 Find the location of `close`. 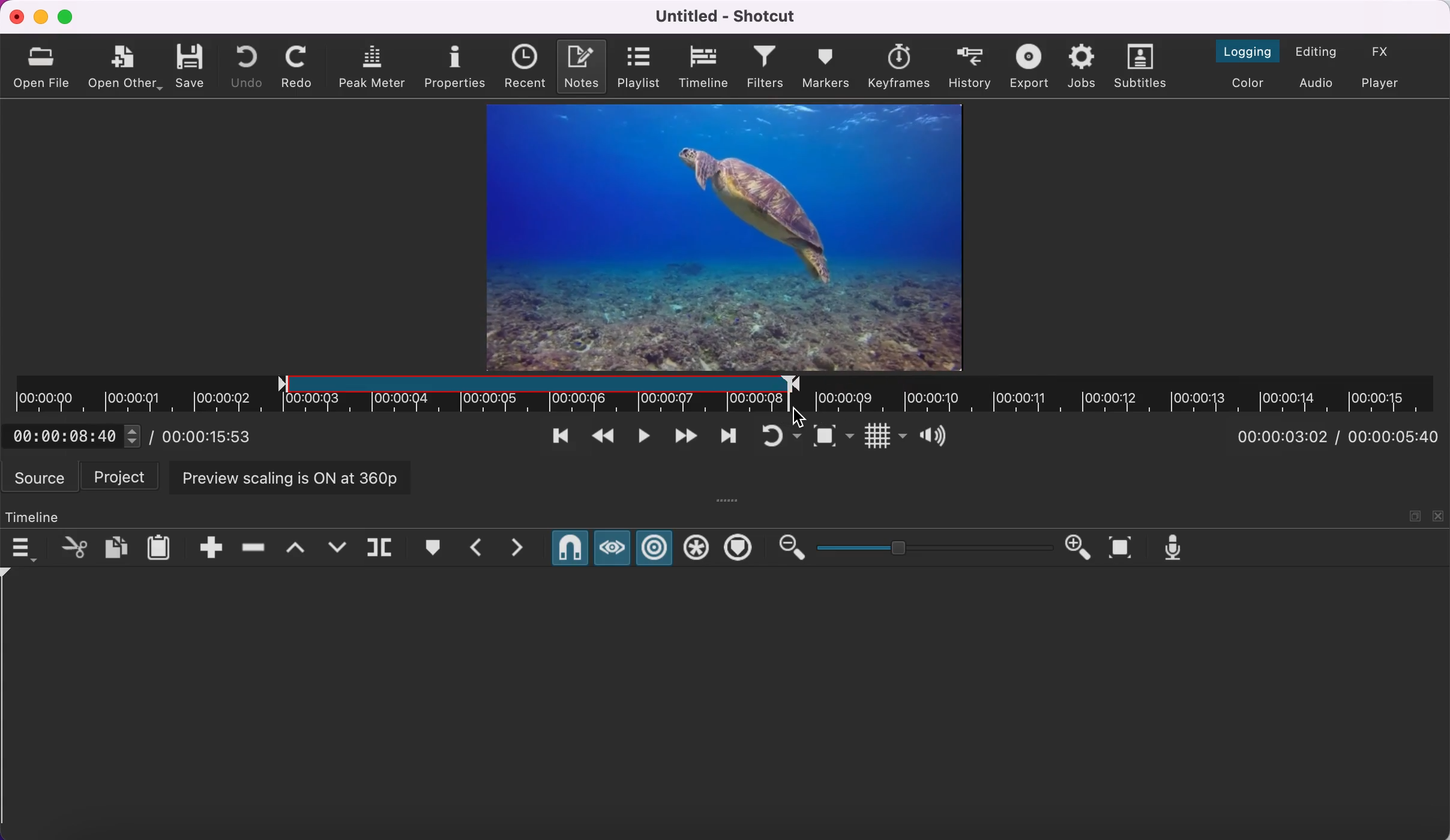

close is located at coordinates (14, 16).